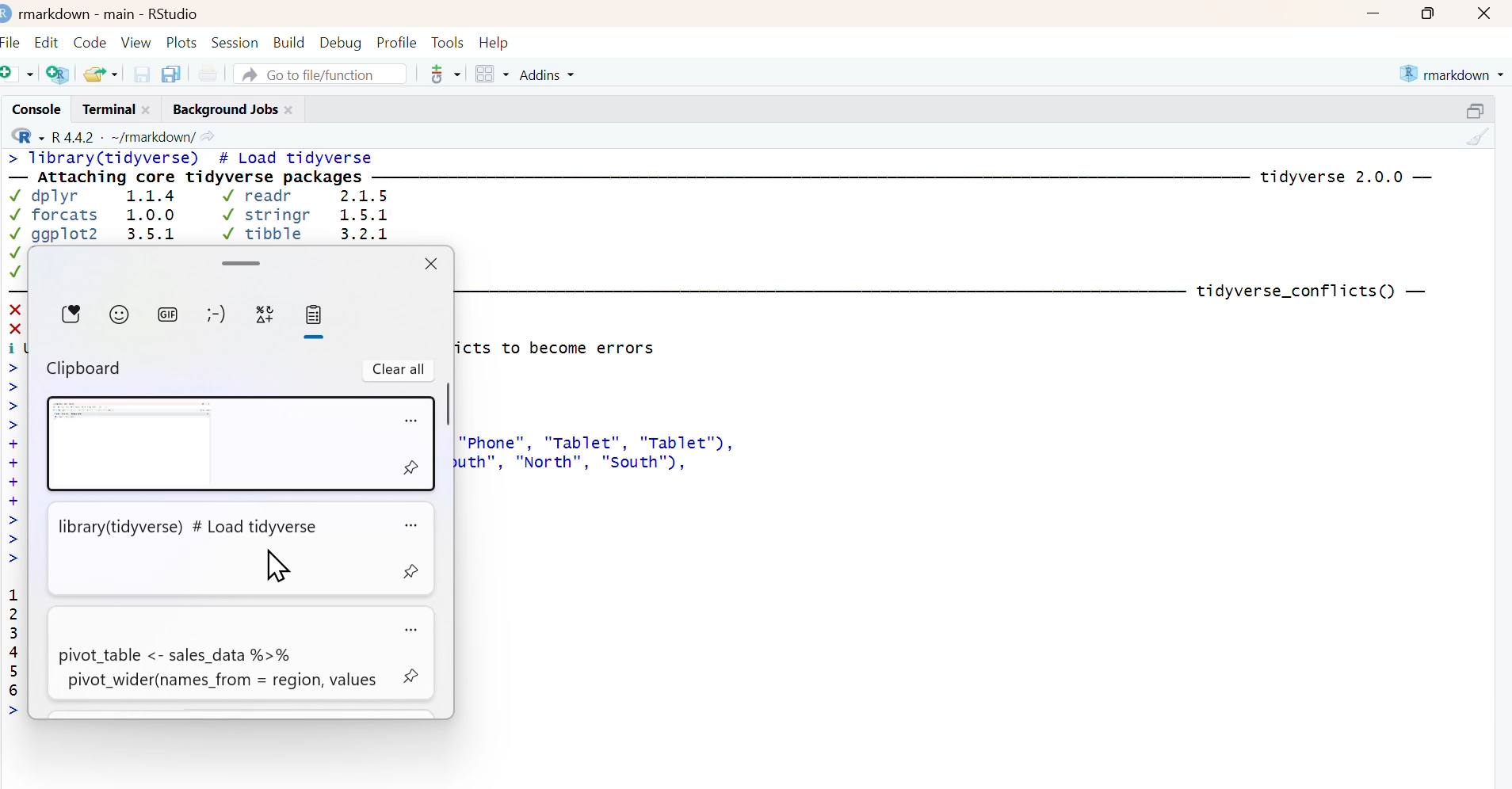 The width and height of the screenshot is (1512, 789). What do you see at coordinates (312, 322) in the screenshot?
I see `clipboard` at bounding box center [312, 322].